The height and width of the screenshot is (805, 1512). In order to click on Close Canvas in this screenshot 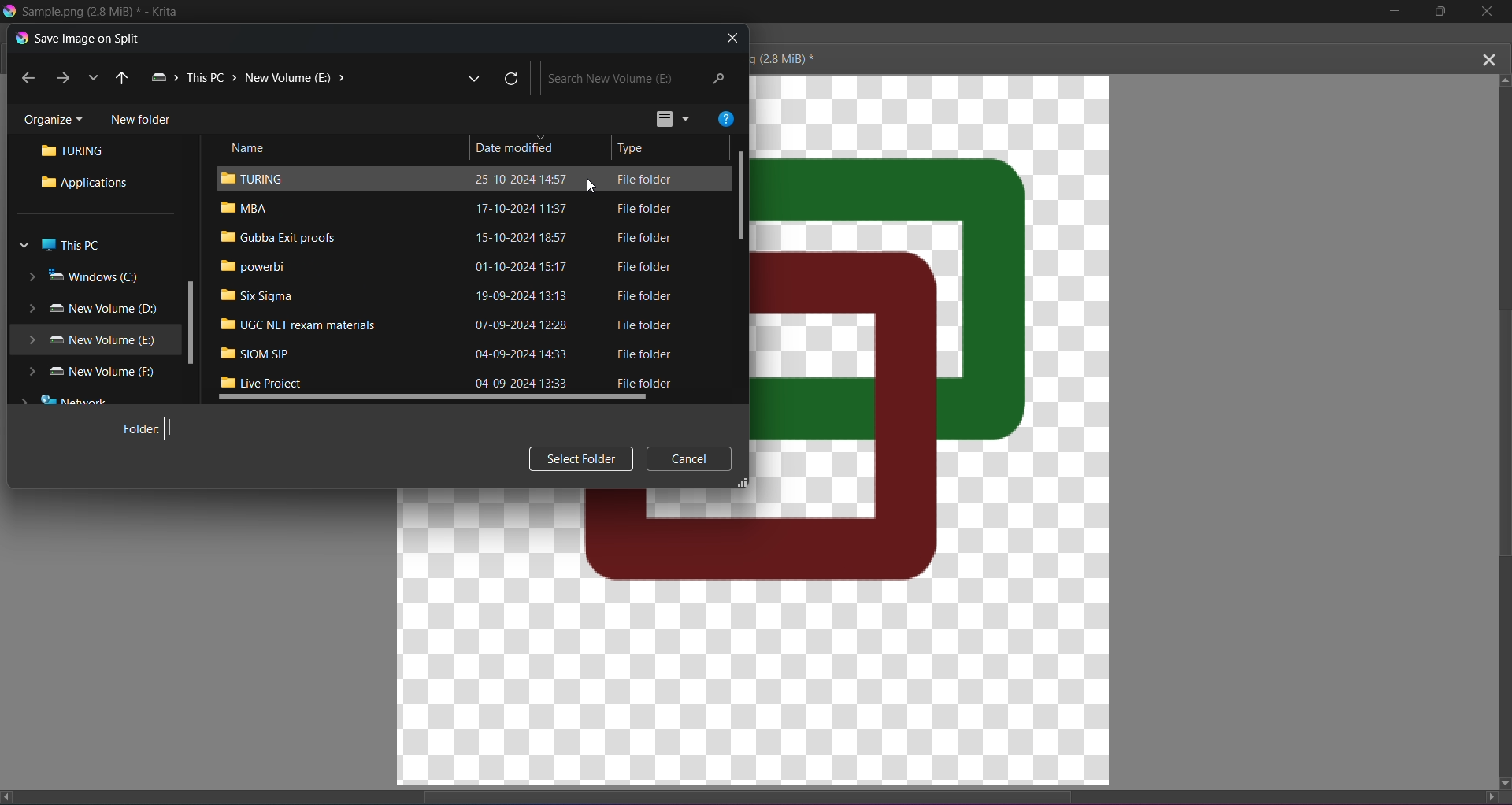, I will do `click(1488, 57)`.